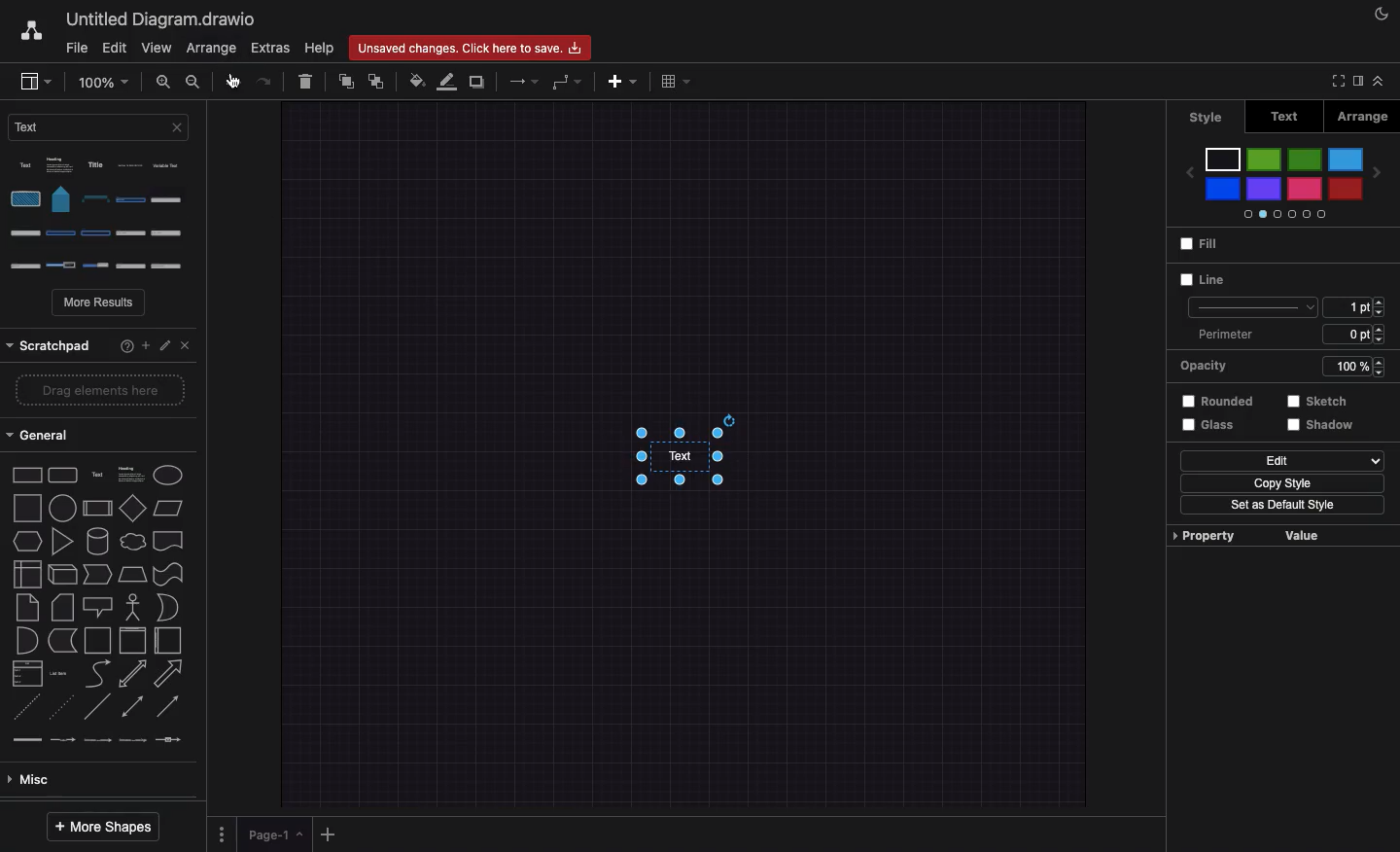 This screenshot has height=852, width=1400. Describe the element at coordinates (1185, 166) in the screenshot. I see `Previous` at that location.